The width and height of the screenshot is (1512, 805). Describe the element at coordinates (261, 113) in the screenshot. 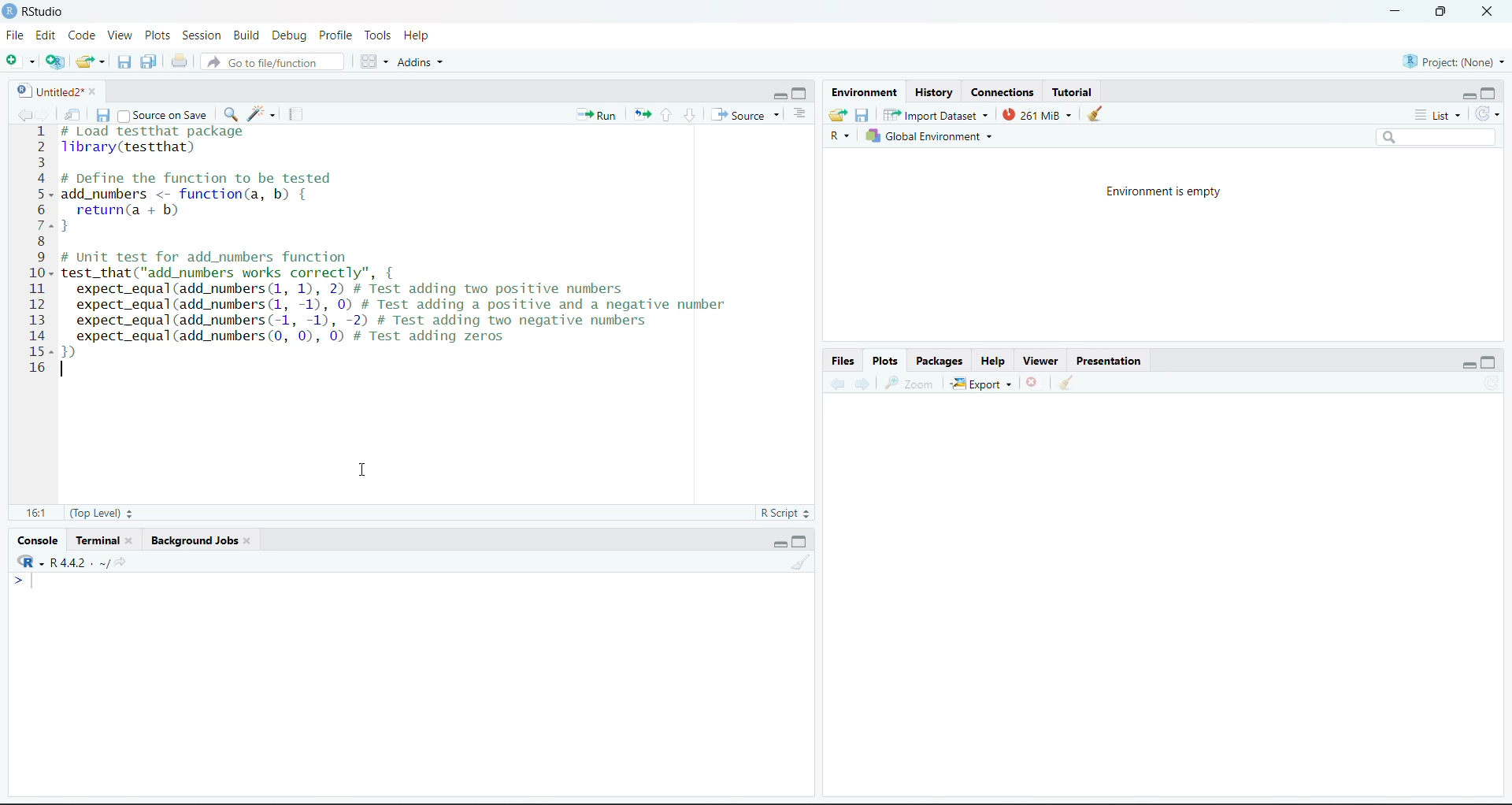

I see `code tools` at that location.